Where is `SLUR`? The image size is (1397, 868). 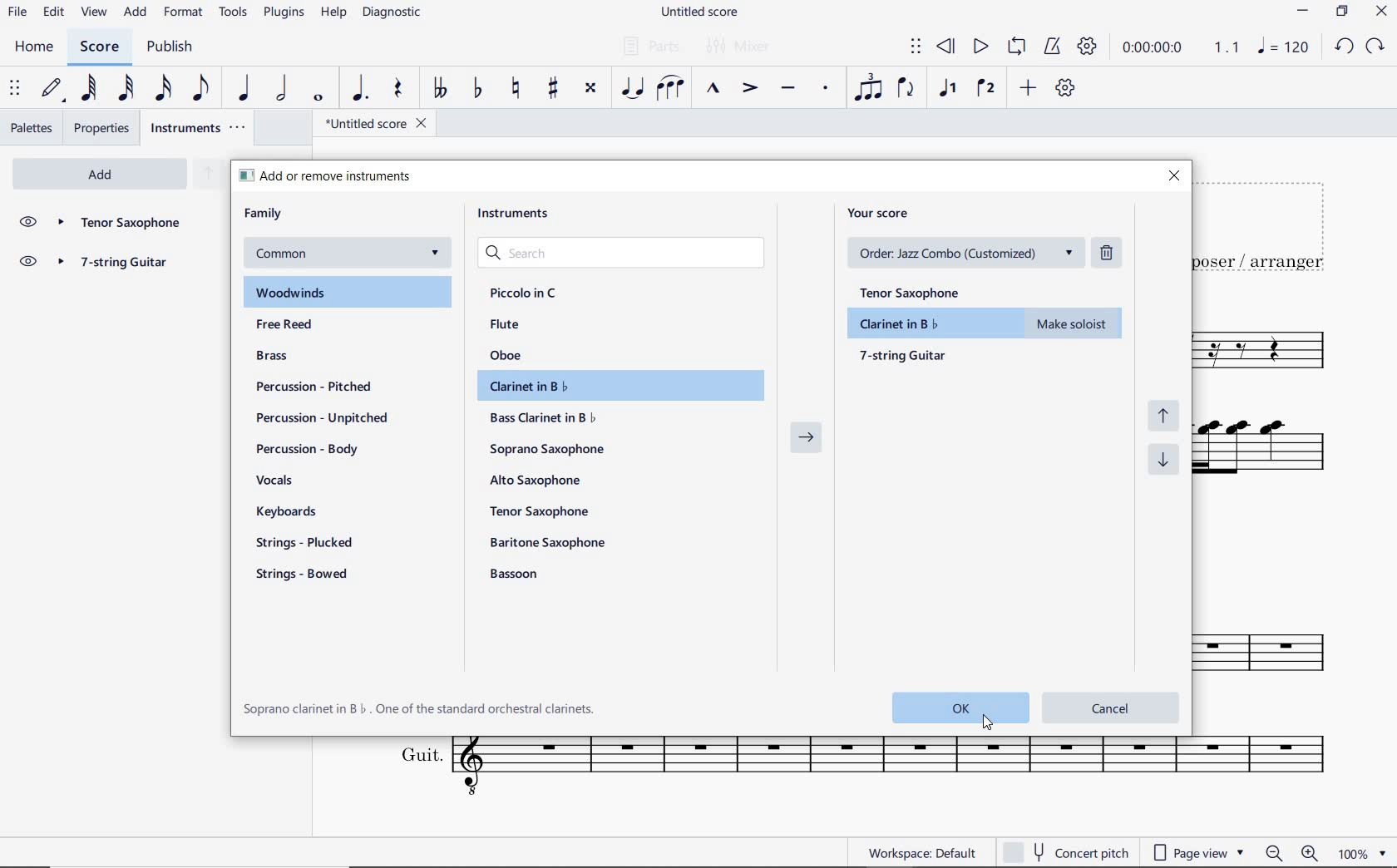 SLUR is located at coordinates (671, 89).